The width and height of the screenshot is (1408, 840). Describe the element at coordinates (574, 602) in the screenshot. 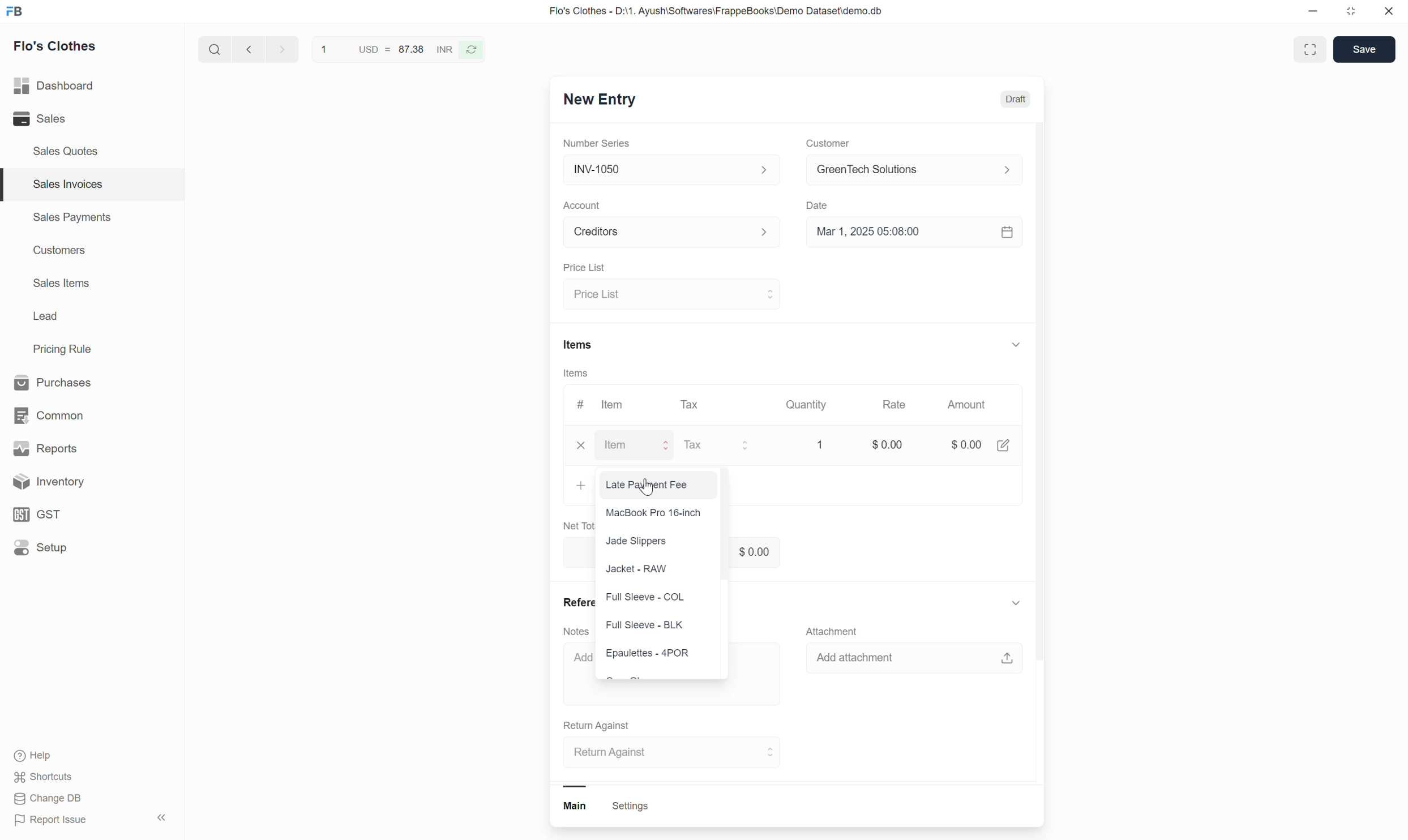

I see `References` at that location.